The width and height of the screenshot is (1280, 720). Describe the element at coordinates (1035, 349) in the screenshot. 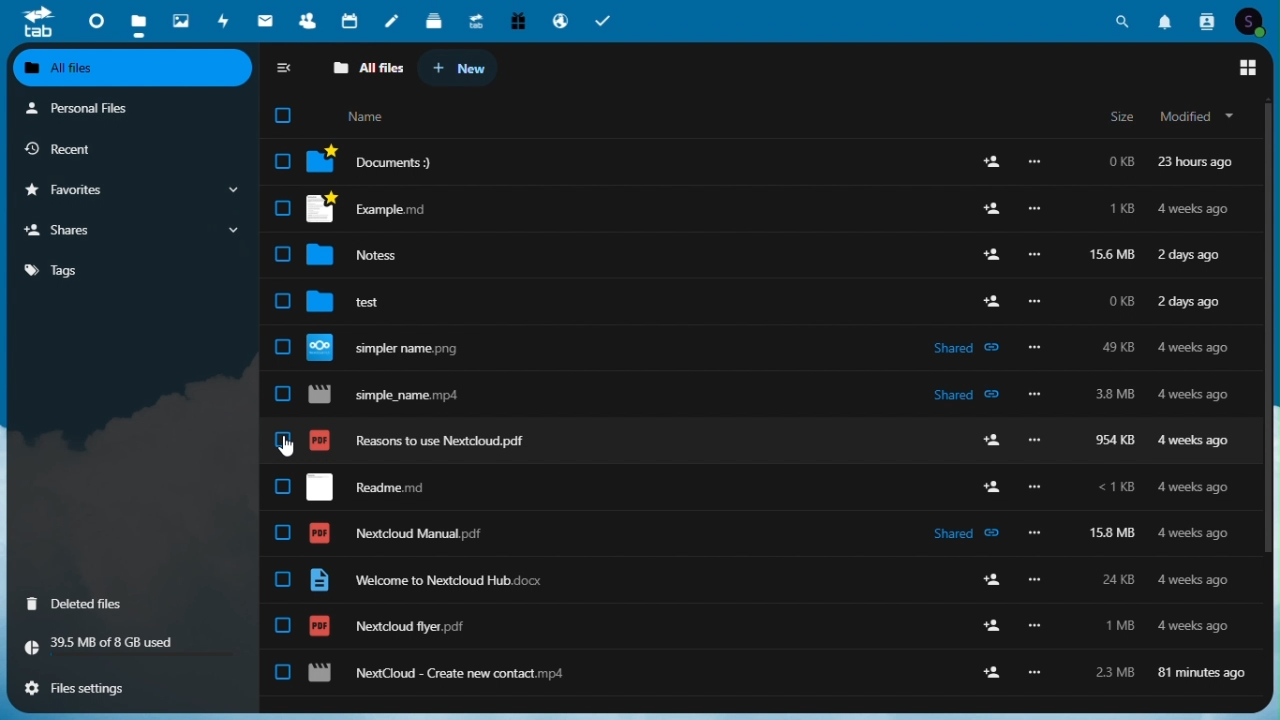

I see `` at that location.